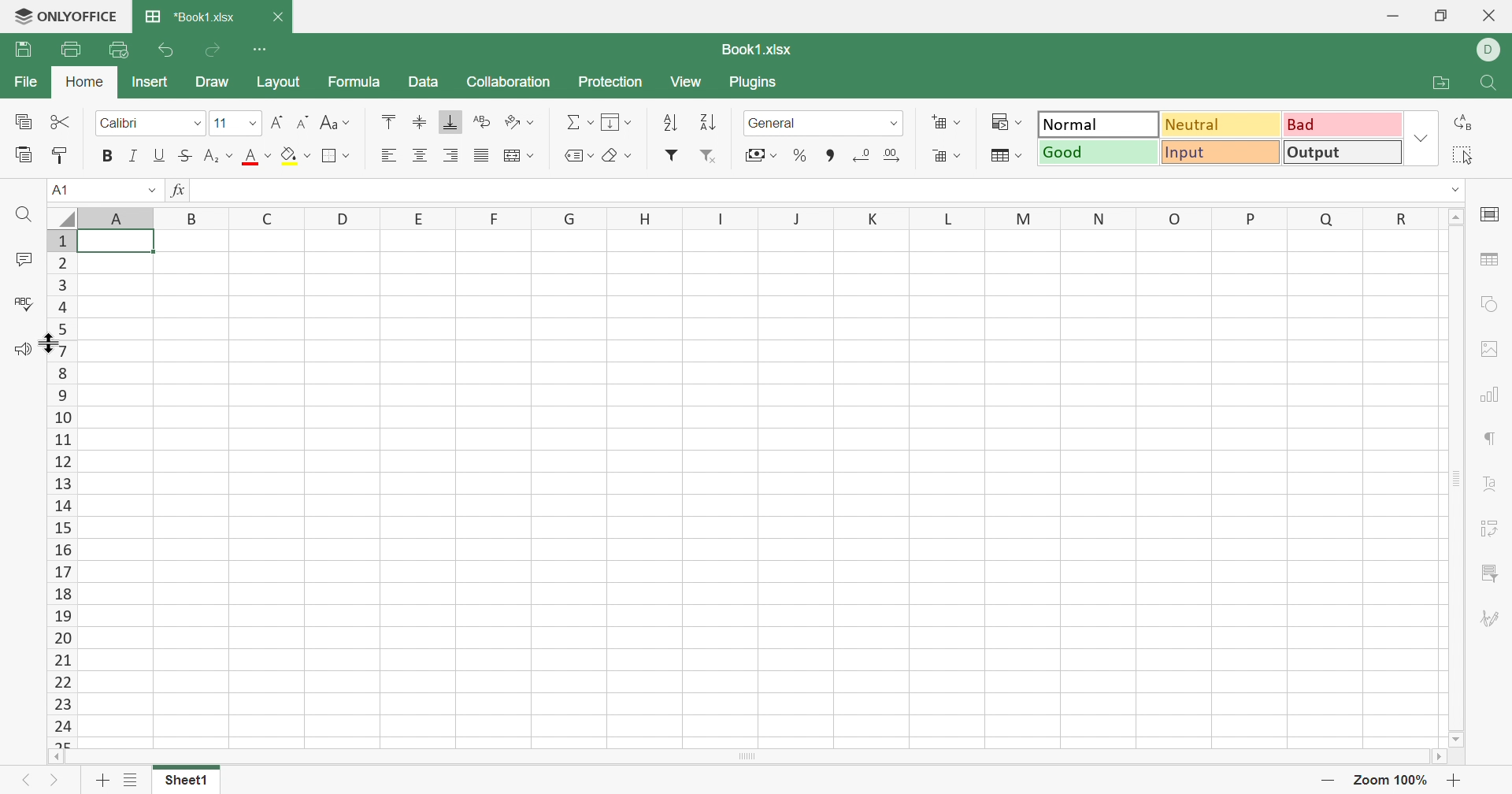  Describe the element at coordinates (710, 121) in the screenshot. I see `Descending order` at that location.